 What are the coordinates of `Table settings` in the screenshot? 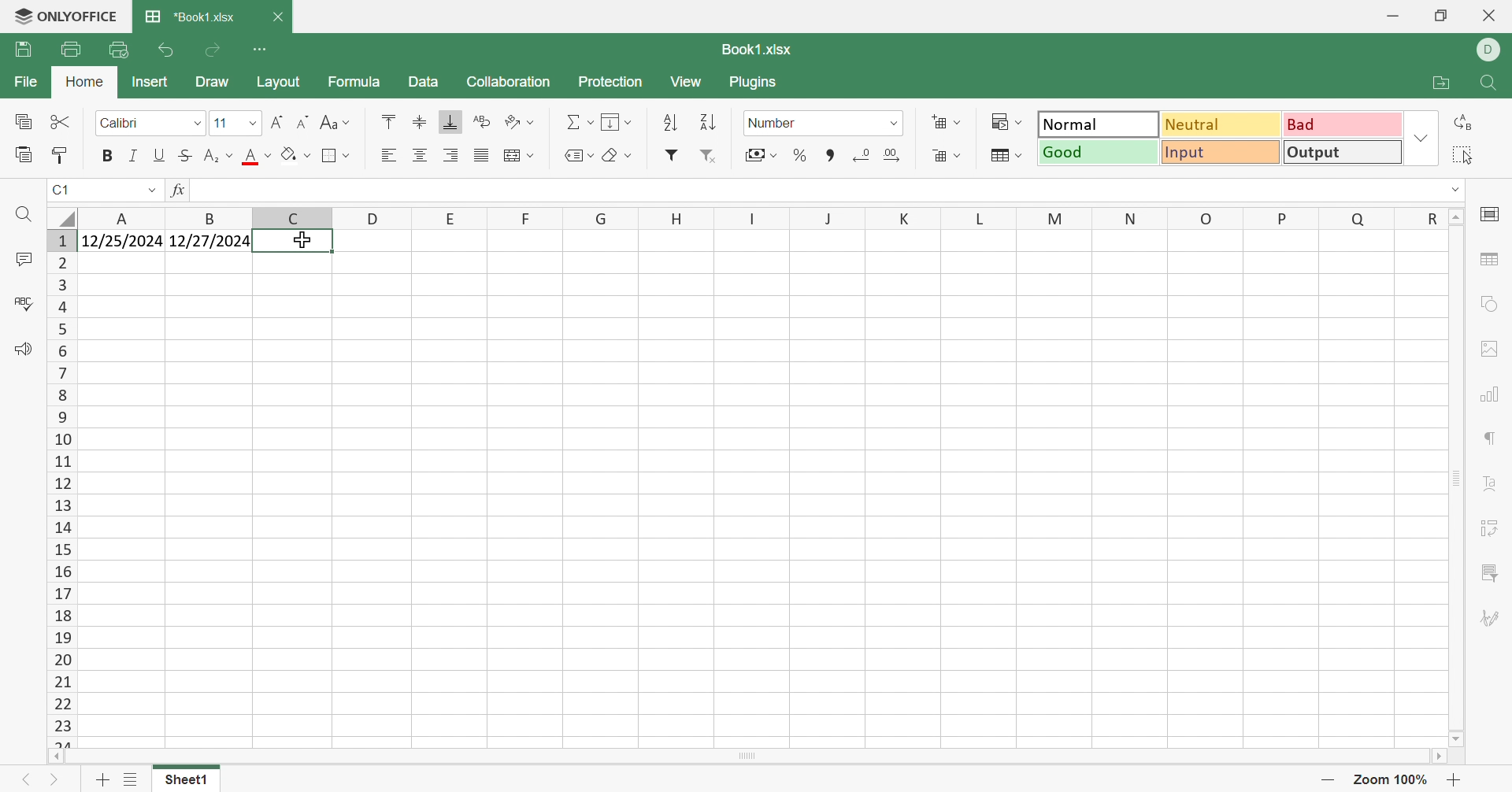 It's located at (1488, 263).